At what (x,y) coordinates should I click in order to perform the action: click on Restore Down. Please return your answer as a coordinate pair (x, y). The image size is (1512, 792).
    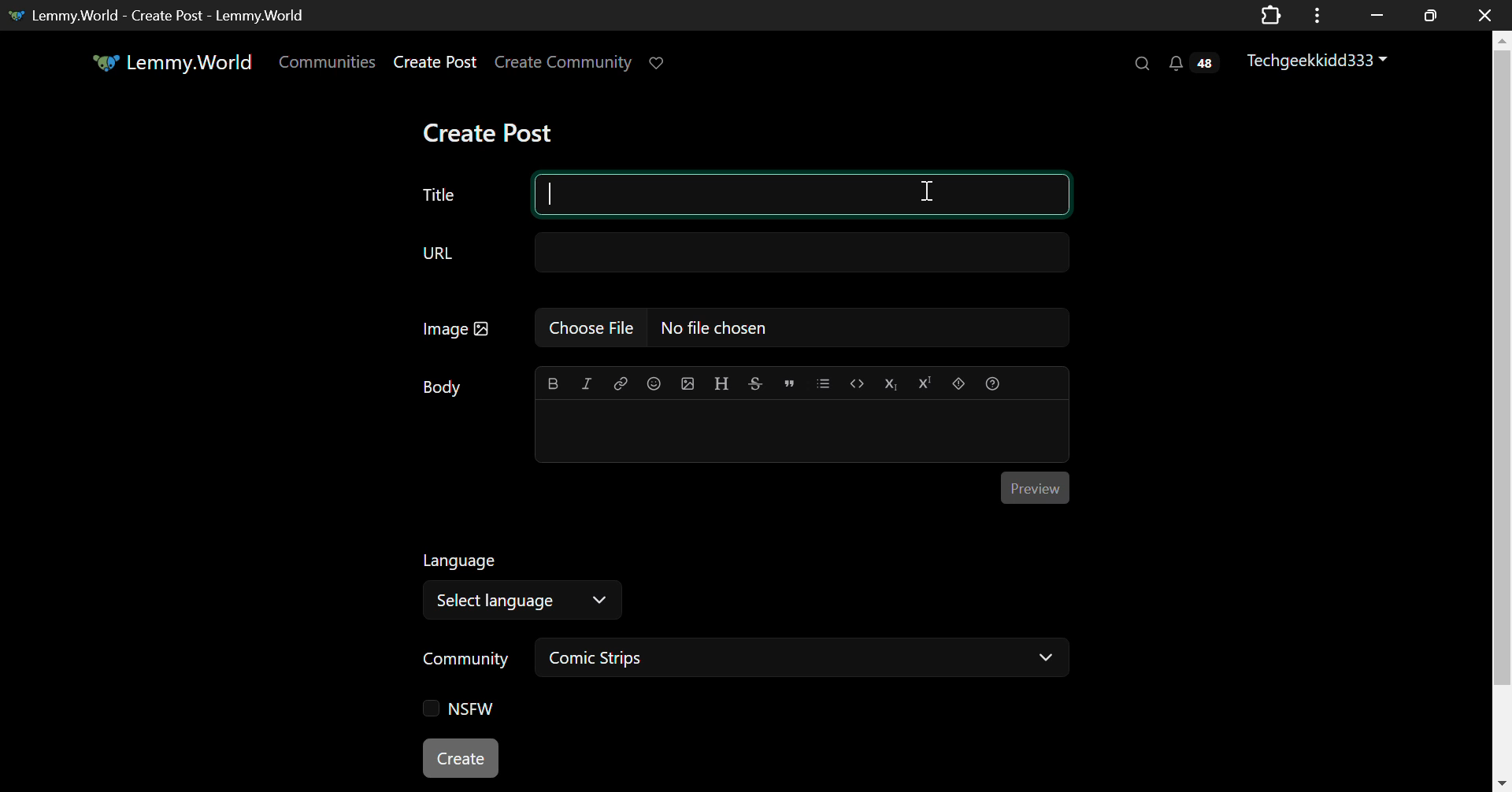
    Looking at the image, I should click on (1377, 13).